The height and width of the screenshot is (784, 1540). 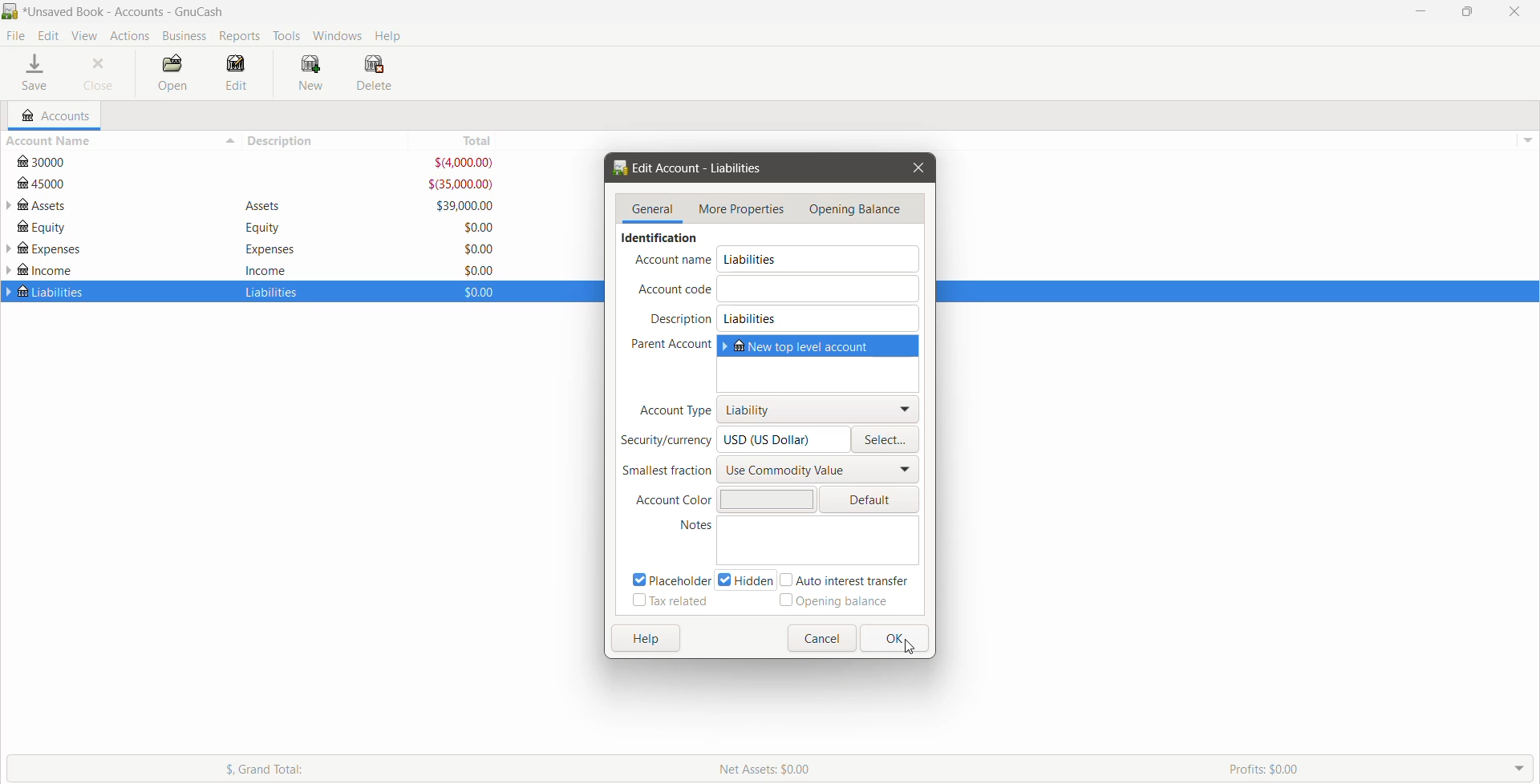 I want to click on Cancel, so click(x=821, y=638).